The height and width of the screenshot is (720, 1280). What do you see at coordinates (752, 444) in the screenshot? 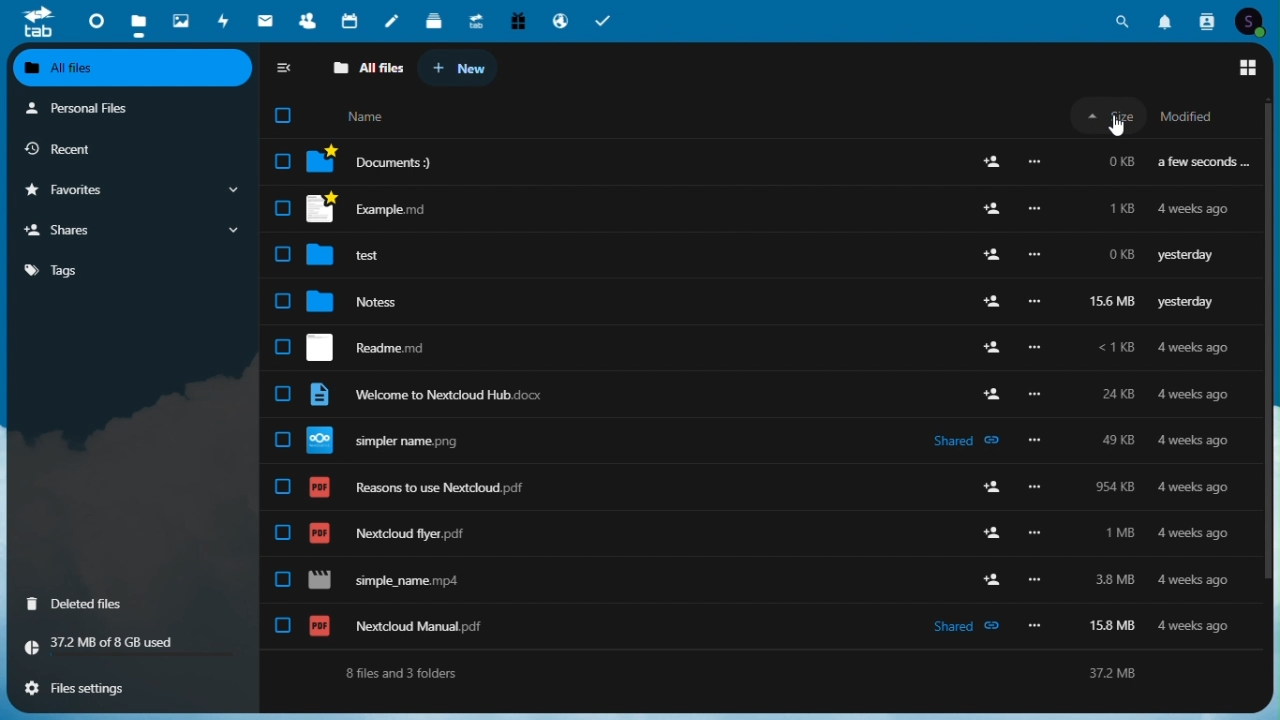
I see `Nextcdloud Manual pdf` at bounding box center [752, 444].